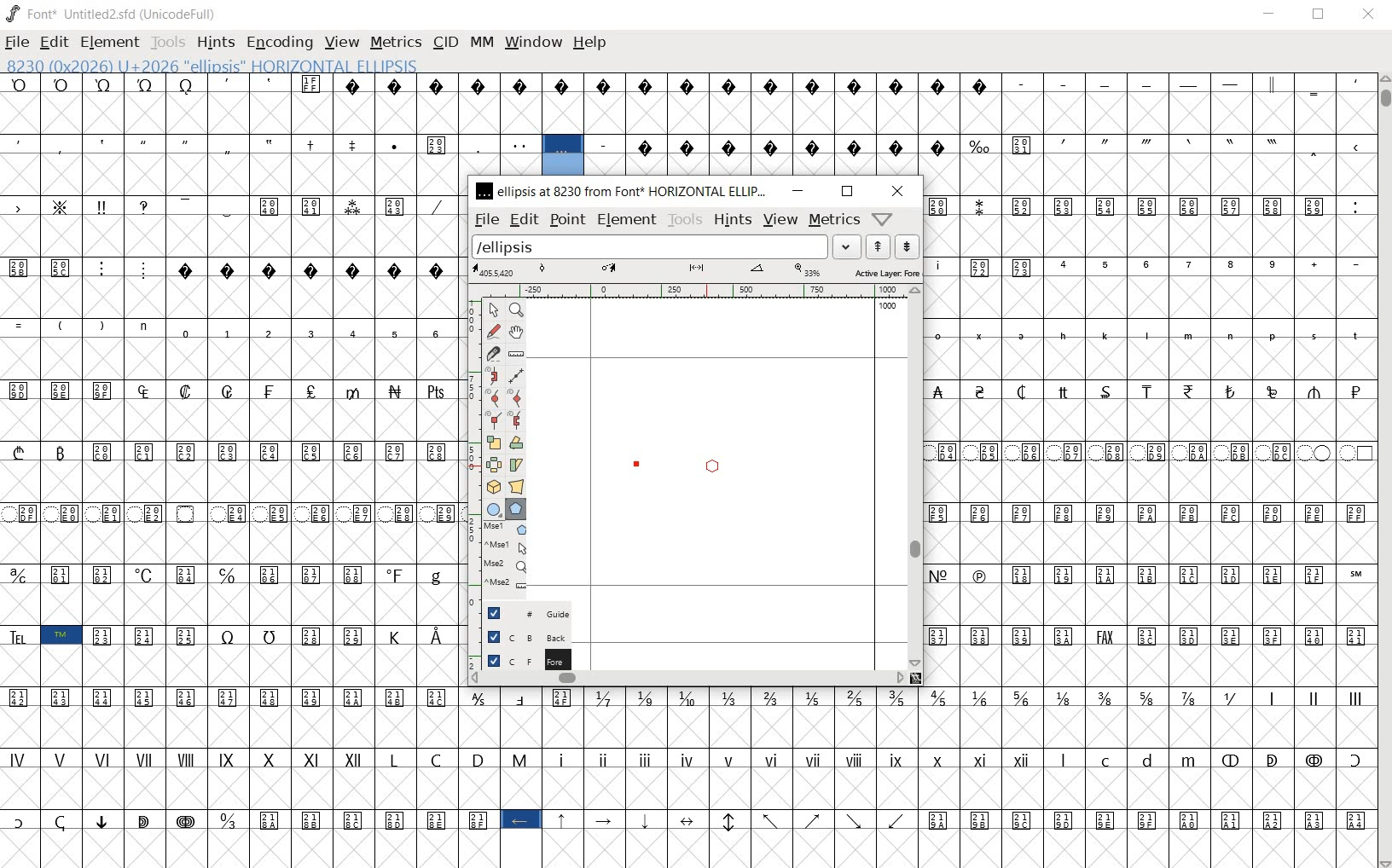 Image resolution: width=1392 pixels, height=868 pixels. What do you see at coordinates (848, 192) in the screenshot?
I see `restore` at bounding box center [848, 192].